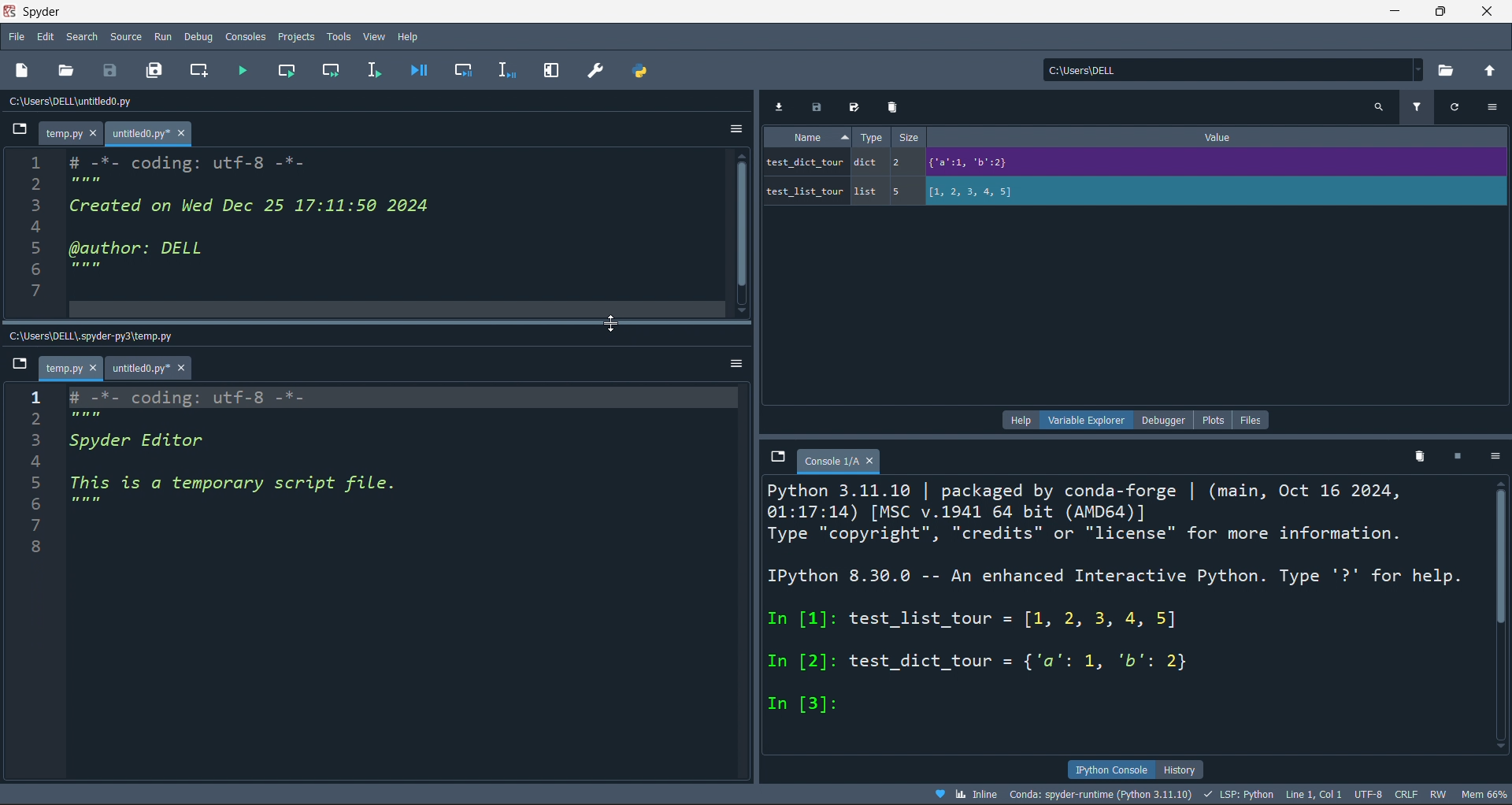 Image resolution: width=1512 pixels, height=805 pixels. What do you see at coordinates (158, 133) in the screenshot?
I see `untitledo.py™` at bounding box center [158, 133].